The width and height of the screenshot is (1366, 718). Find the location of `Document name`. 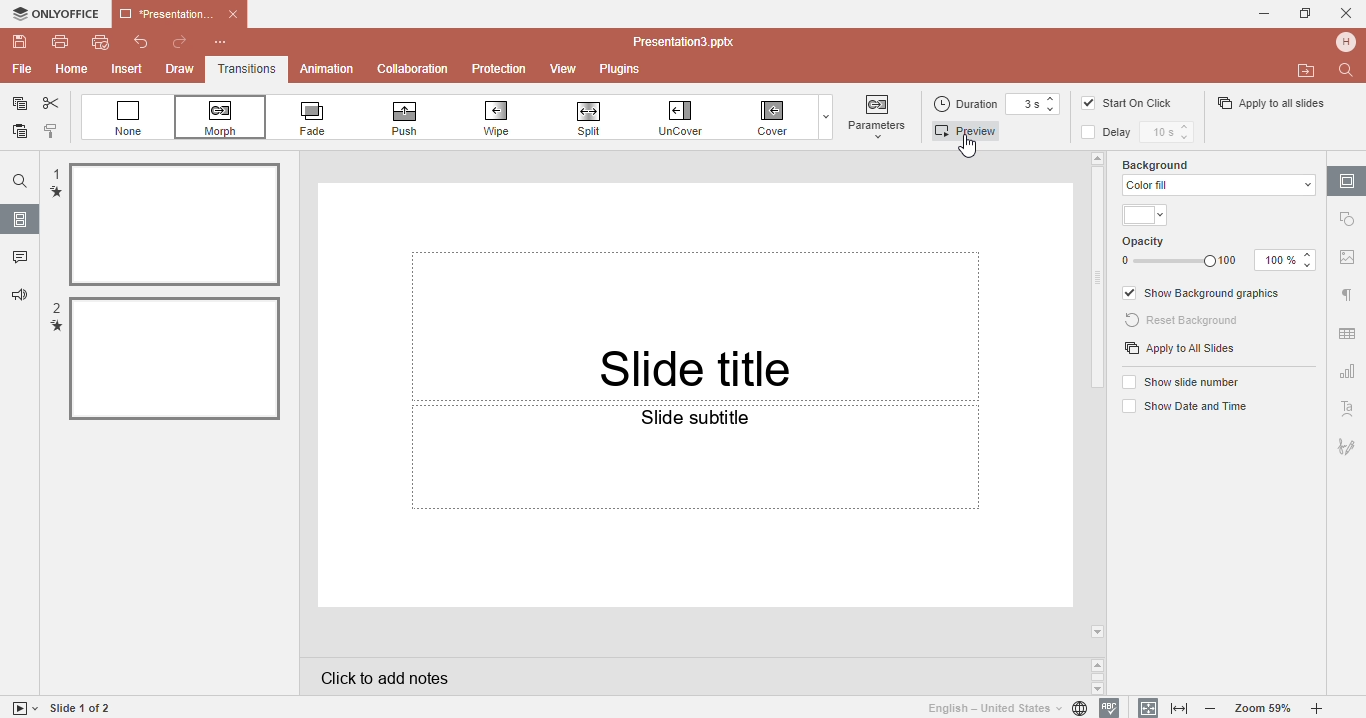

Document name is located at coordinates (689, 42).